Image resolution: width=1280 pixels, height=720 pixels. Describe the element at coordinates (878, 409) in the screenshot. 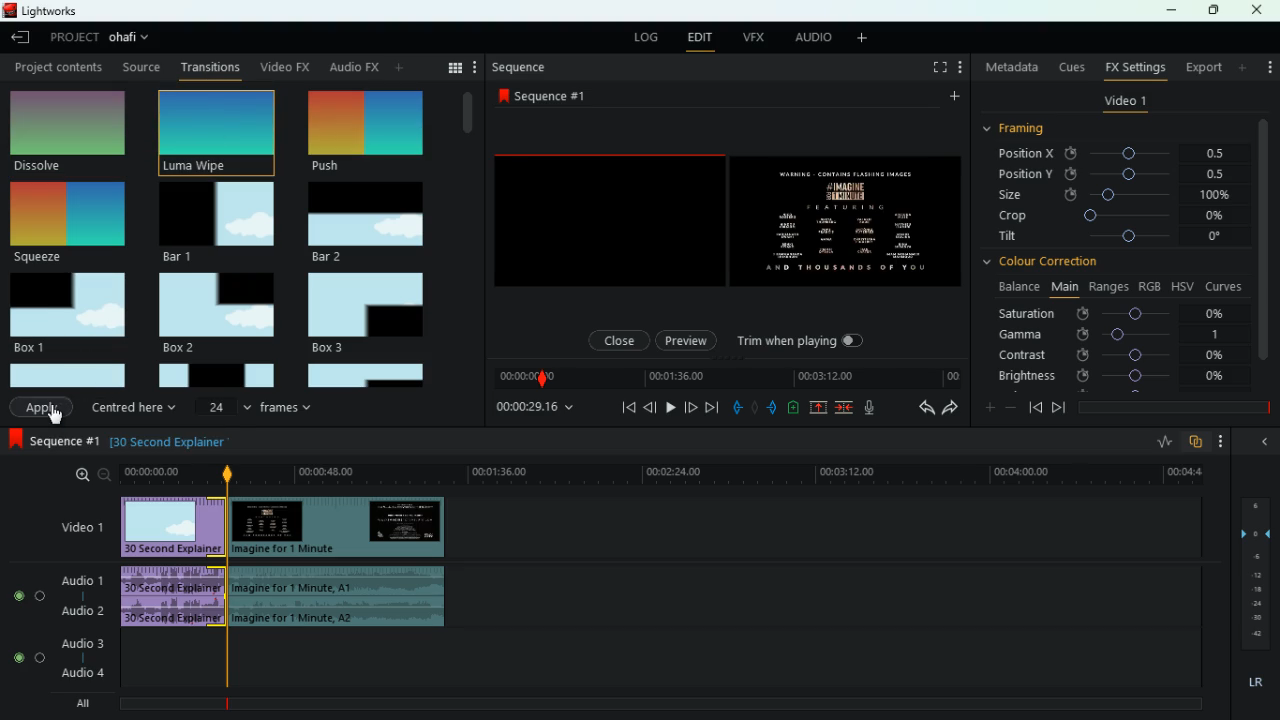

I see `mic` at that location.